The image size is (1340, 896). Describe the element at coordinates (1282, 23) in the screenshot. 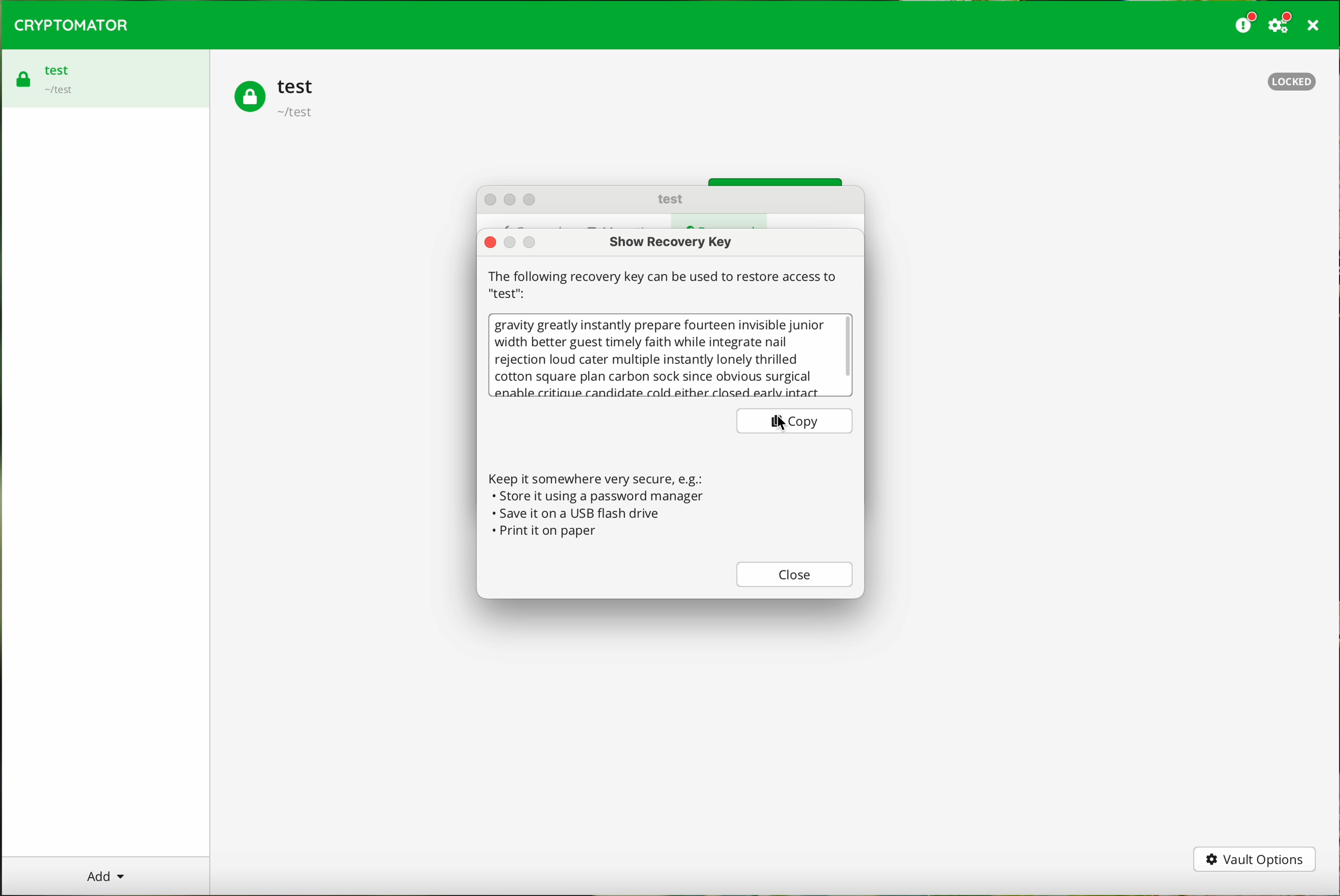

I see `settings` at that location.